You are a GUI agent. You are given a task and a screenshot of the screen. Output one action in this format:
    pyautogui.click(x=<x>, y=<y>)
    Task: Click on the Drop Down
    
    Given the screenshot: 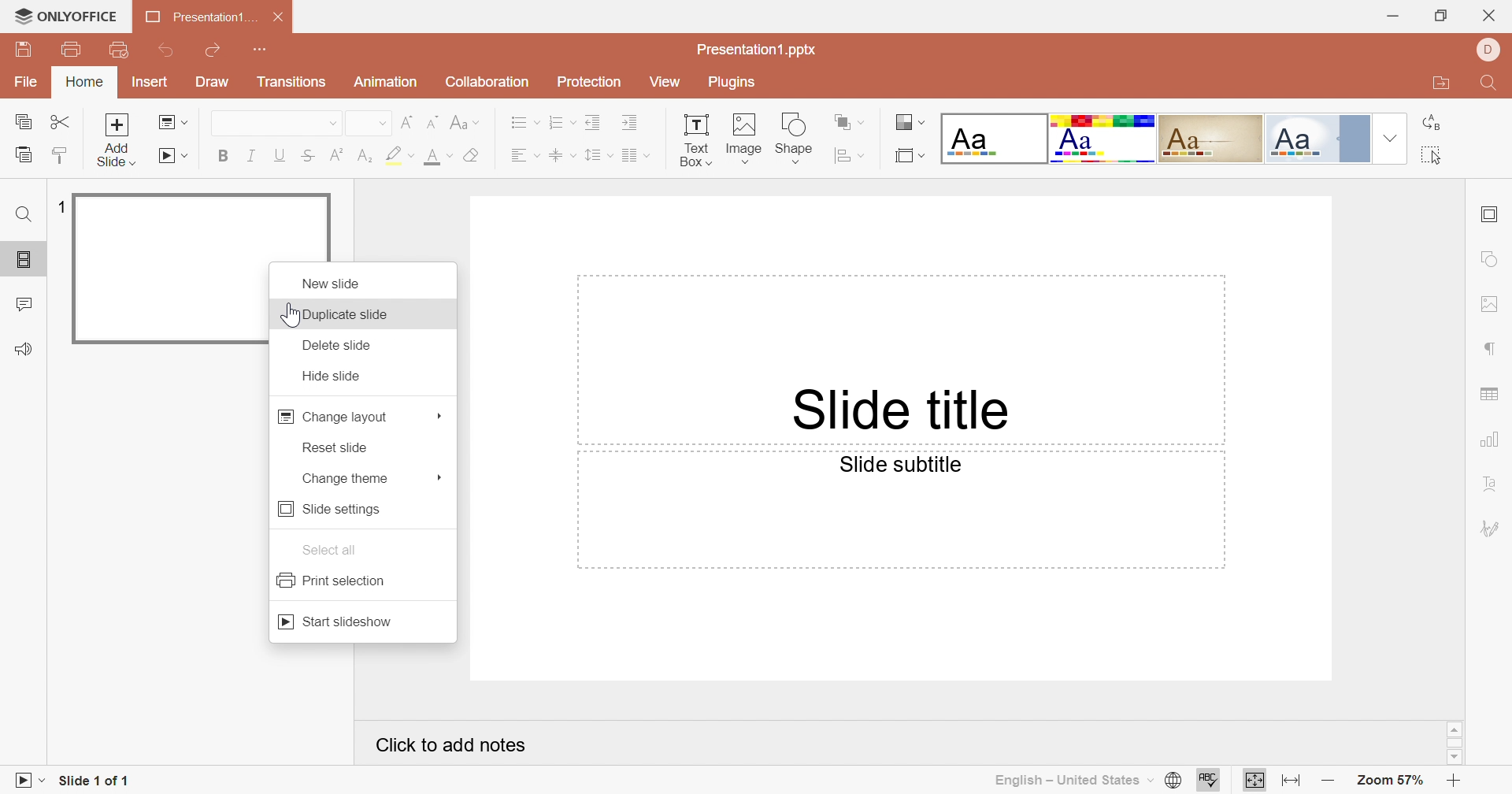 What is the action you would take?
    pyautogui.click(x=864, y=155)
    